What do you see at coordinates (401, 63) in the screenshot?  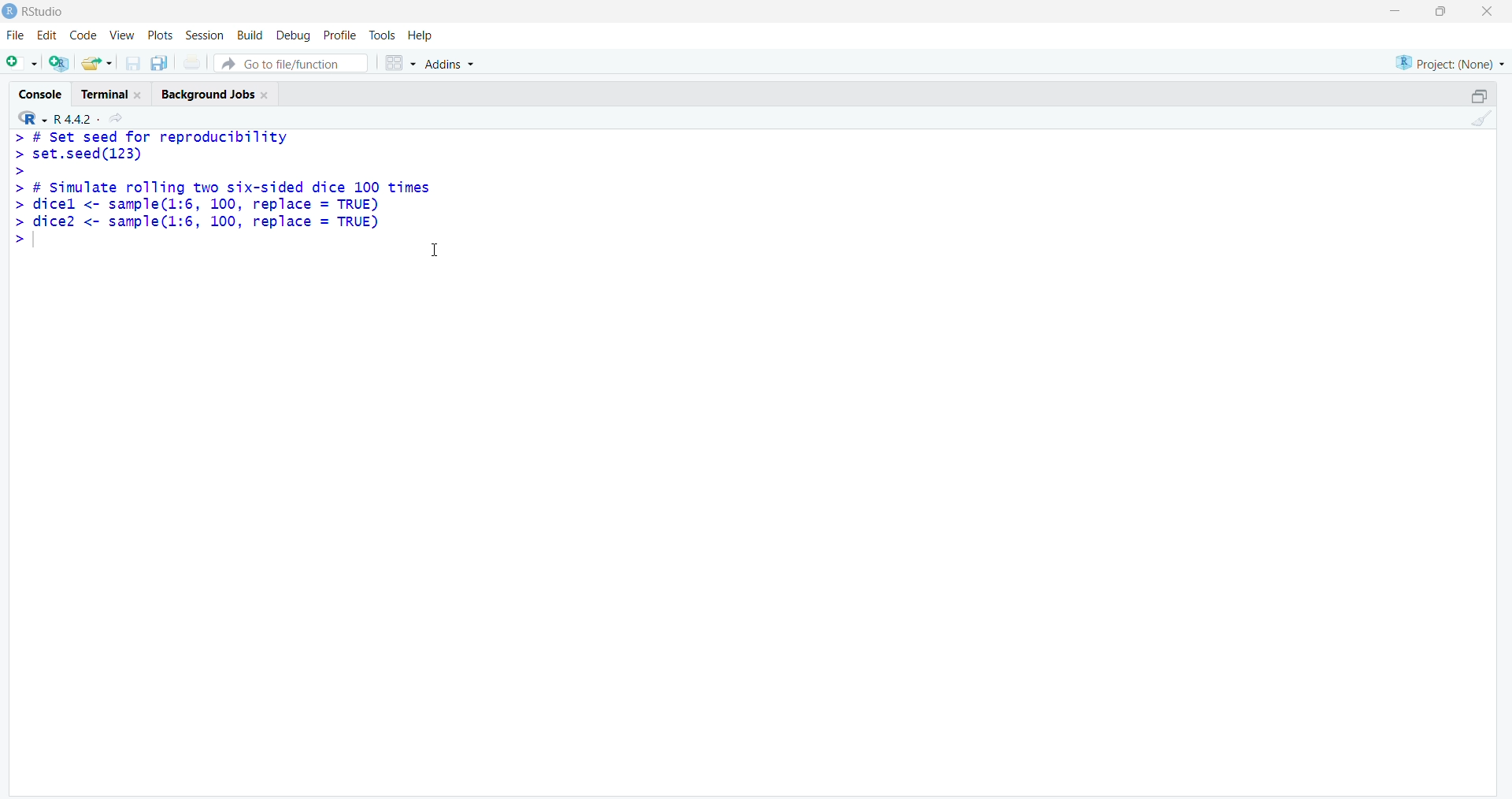 I see `grid` at bounding box center [401, 63].